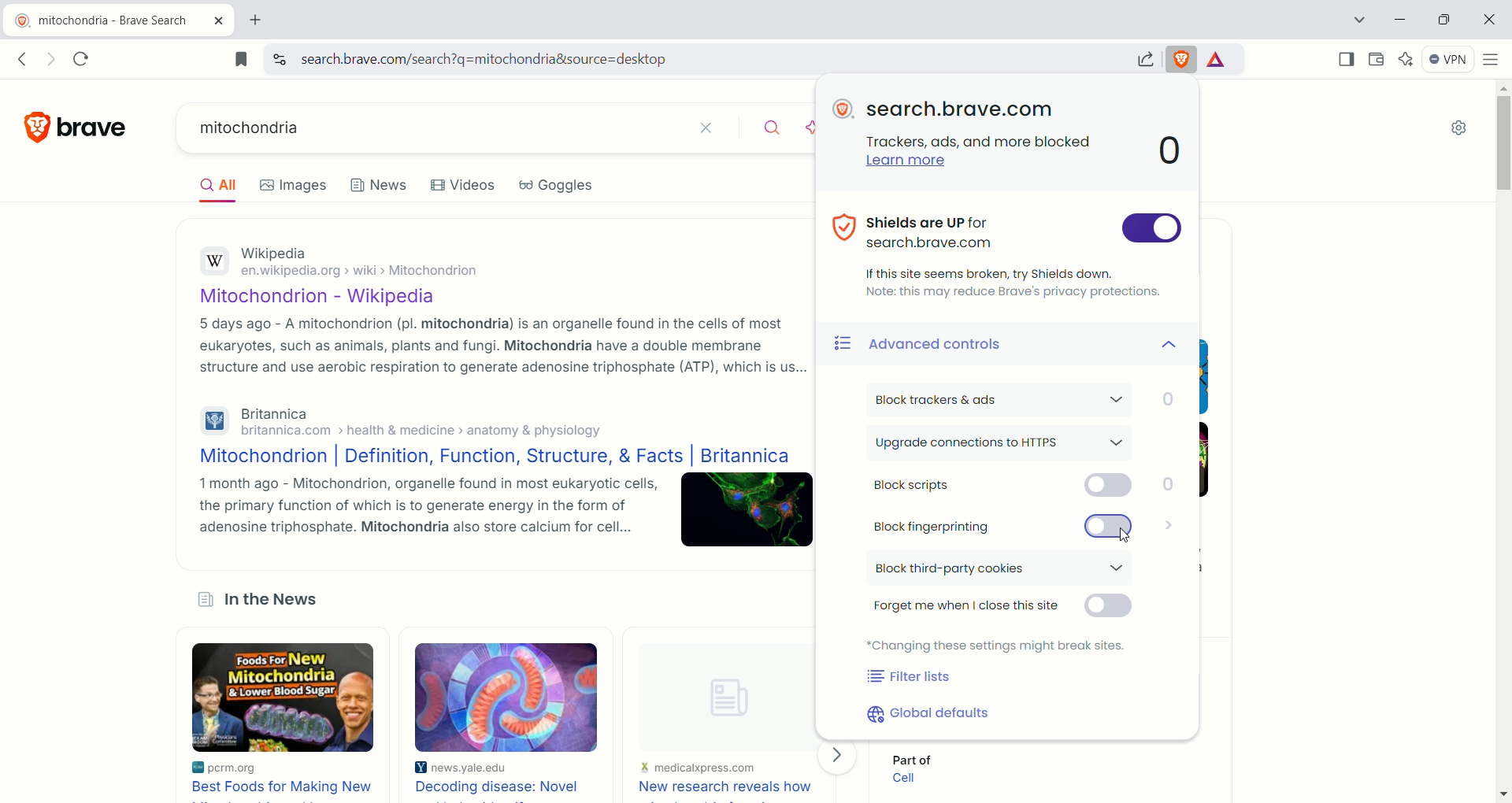  I want to click on VPN, so click(1449, 61).